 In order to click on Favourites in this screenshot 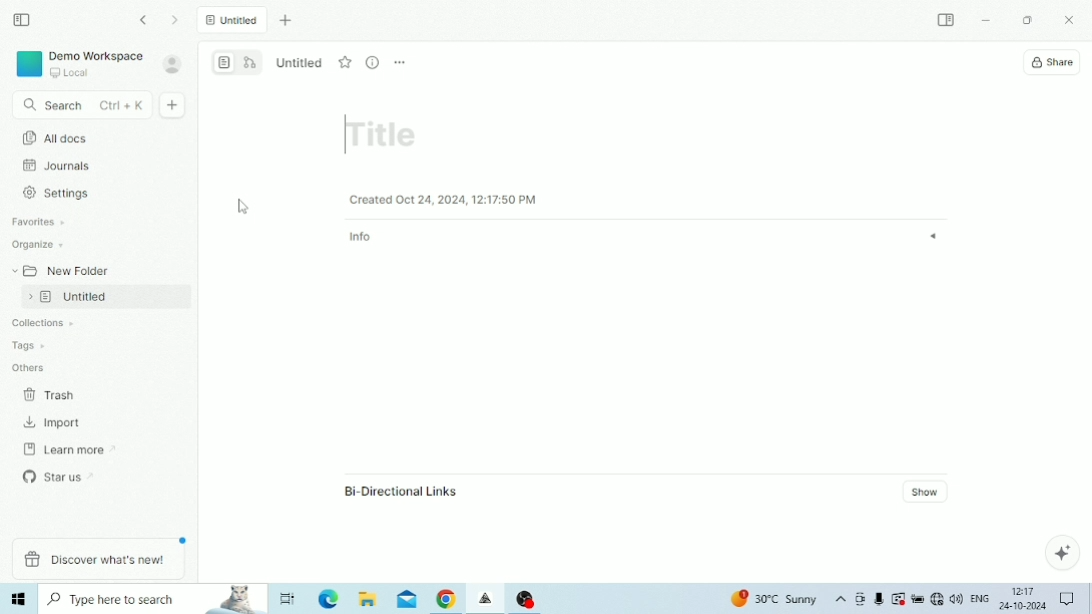, I will do `click(40, 222)`.